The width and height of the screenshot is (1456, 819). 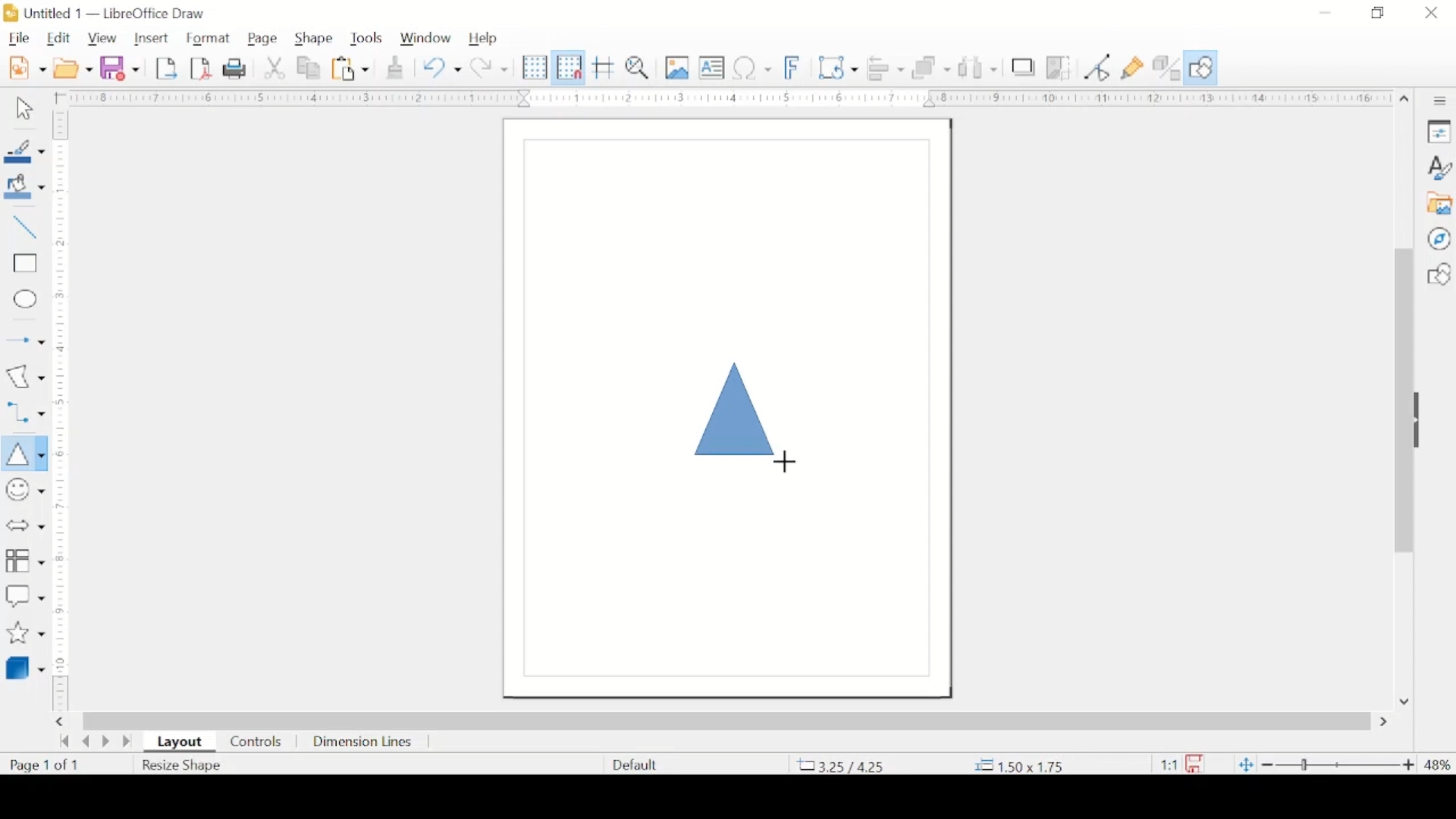 What do you see at coordinates (485, 39) in the screenshot?
I see `help` at bounding box center [485, 39].